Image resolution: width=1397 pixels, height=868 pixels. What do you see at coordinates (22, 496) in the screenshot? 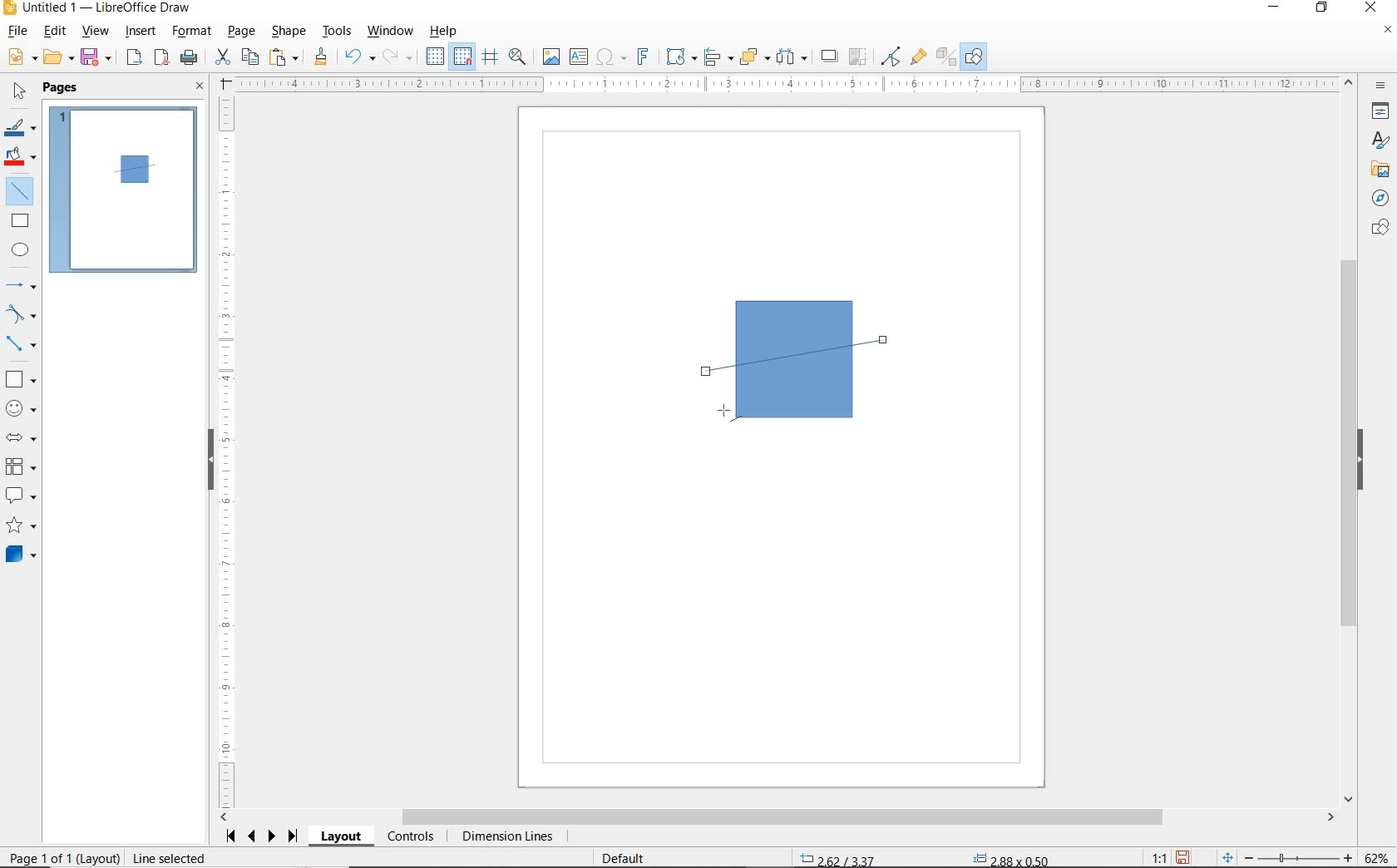
I see `CALLOUT SHAPES` at bounding box center [22, 496].